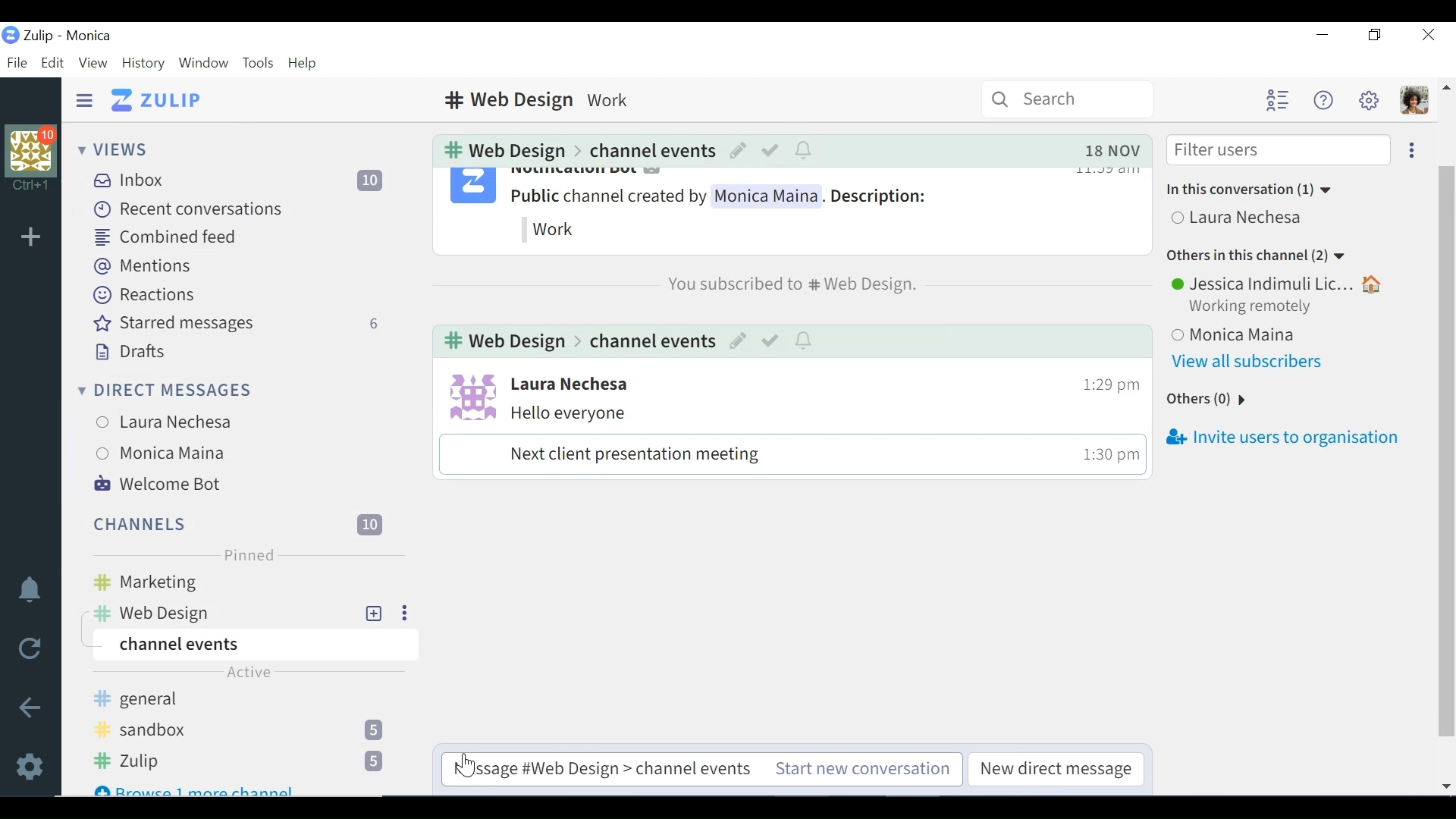 The image size is (1456, 819). What do you see at coordinates (1408, 149) in the screenshot?
I see `Ellipsis` at bounding box center [1408, 149].